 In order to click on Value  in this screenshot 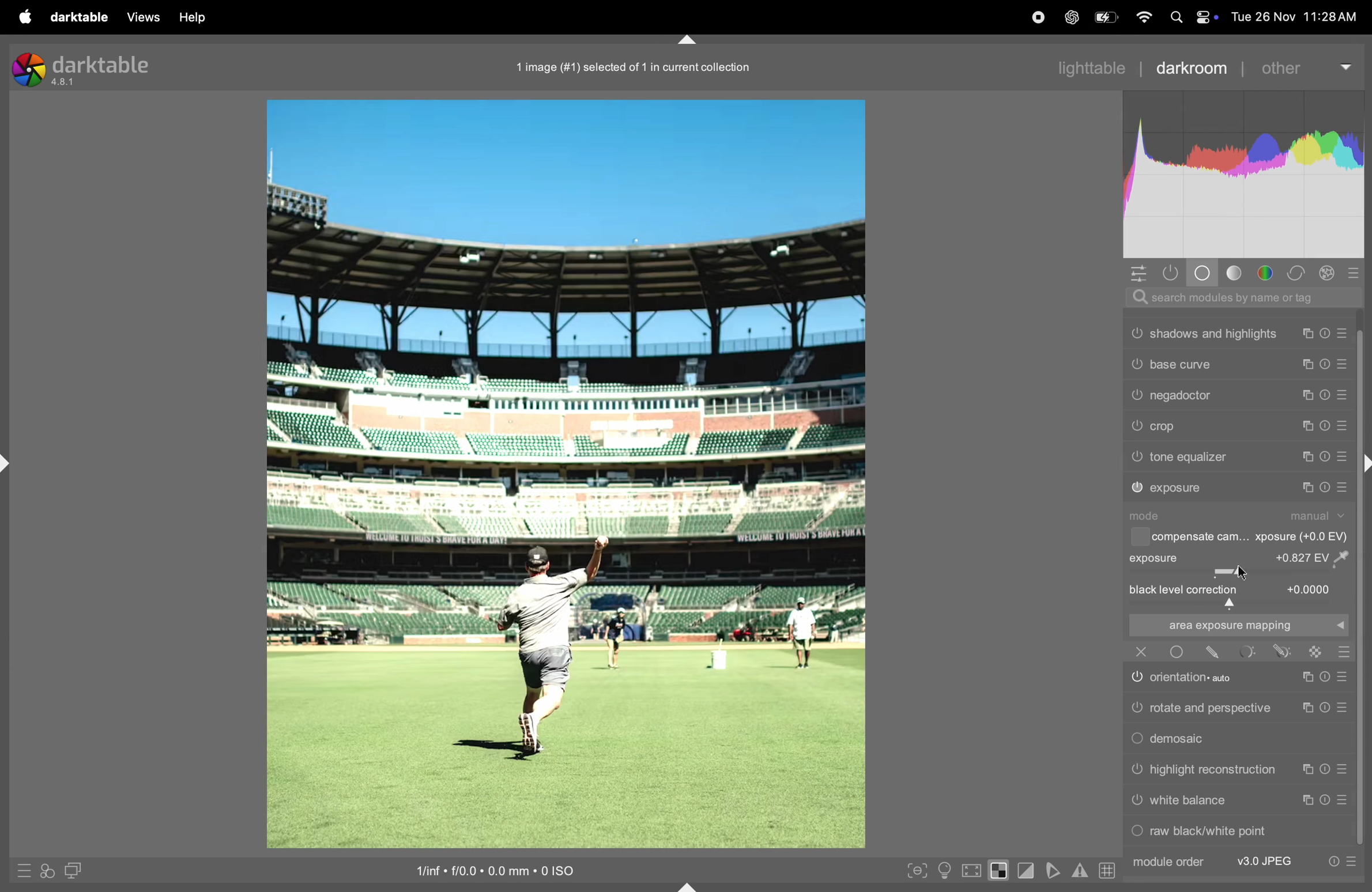, I will do `click(1310, 588)`.